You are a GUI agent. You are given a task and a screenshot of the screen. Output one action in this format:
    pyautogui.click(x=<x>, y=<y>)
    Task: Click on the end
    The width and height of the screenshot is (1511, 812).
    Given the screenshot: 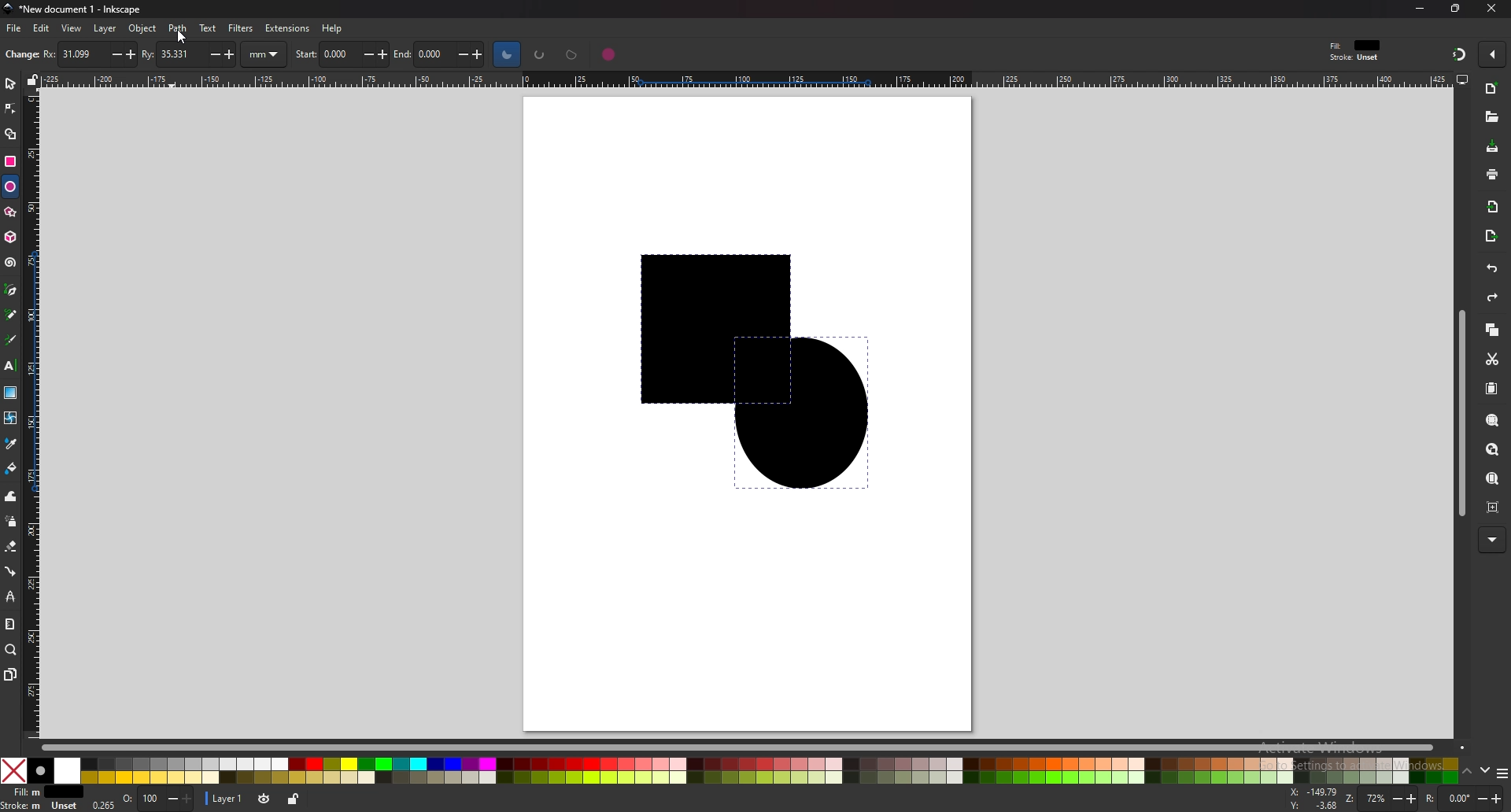 What is the action you would take?
    pyautogui.click(x=443, y=55)
    